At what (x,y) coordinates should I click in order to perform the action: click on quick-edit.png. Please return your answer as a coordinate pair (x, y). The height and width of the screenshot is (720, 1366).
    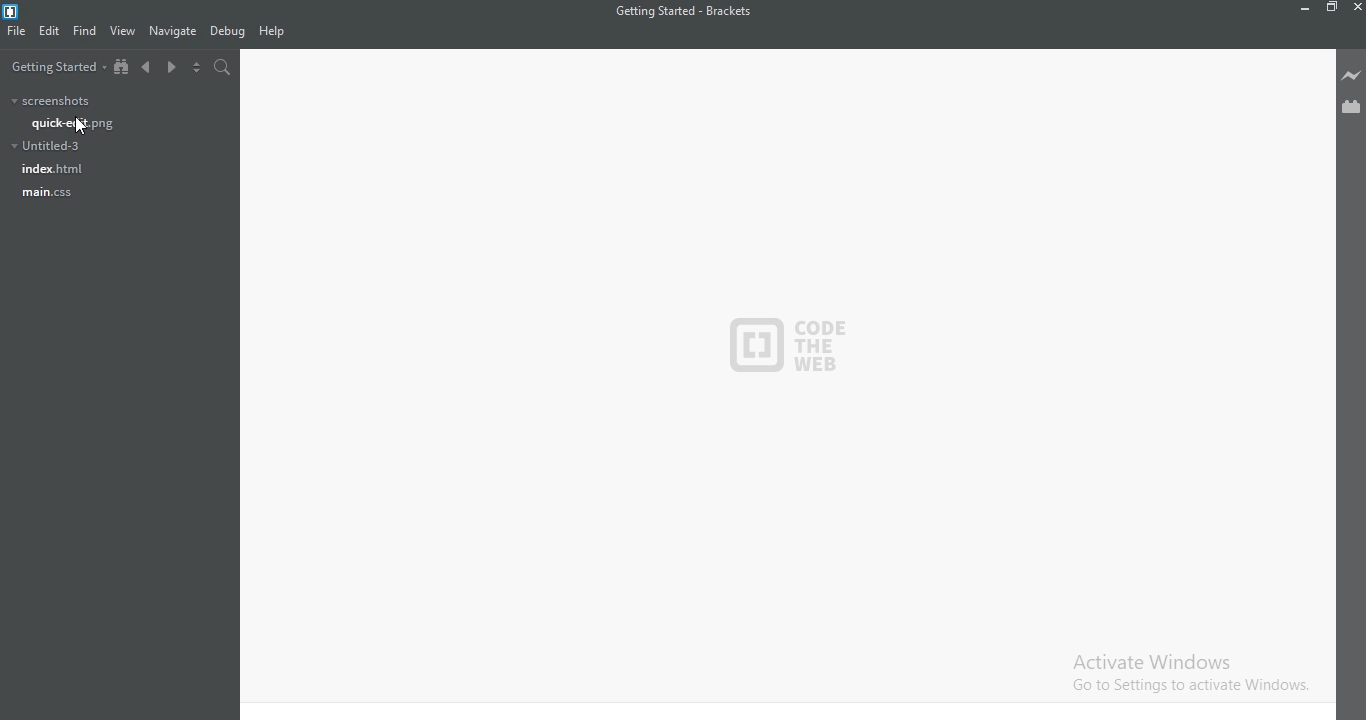
    Looking at the image, I should click on (73, 122).